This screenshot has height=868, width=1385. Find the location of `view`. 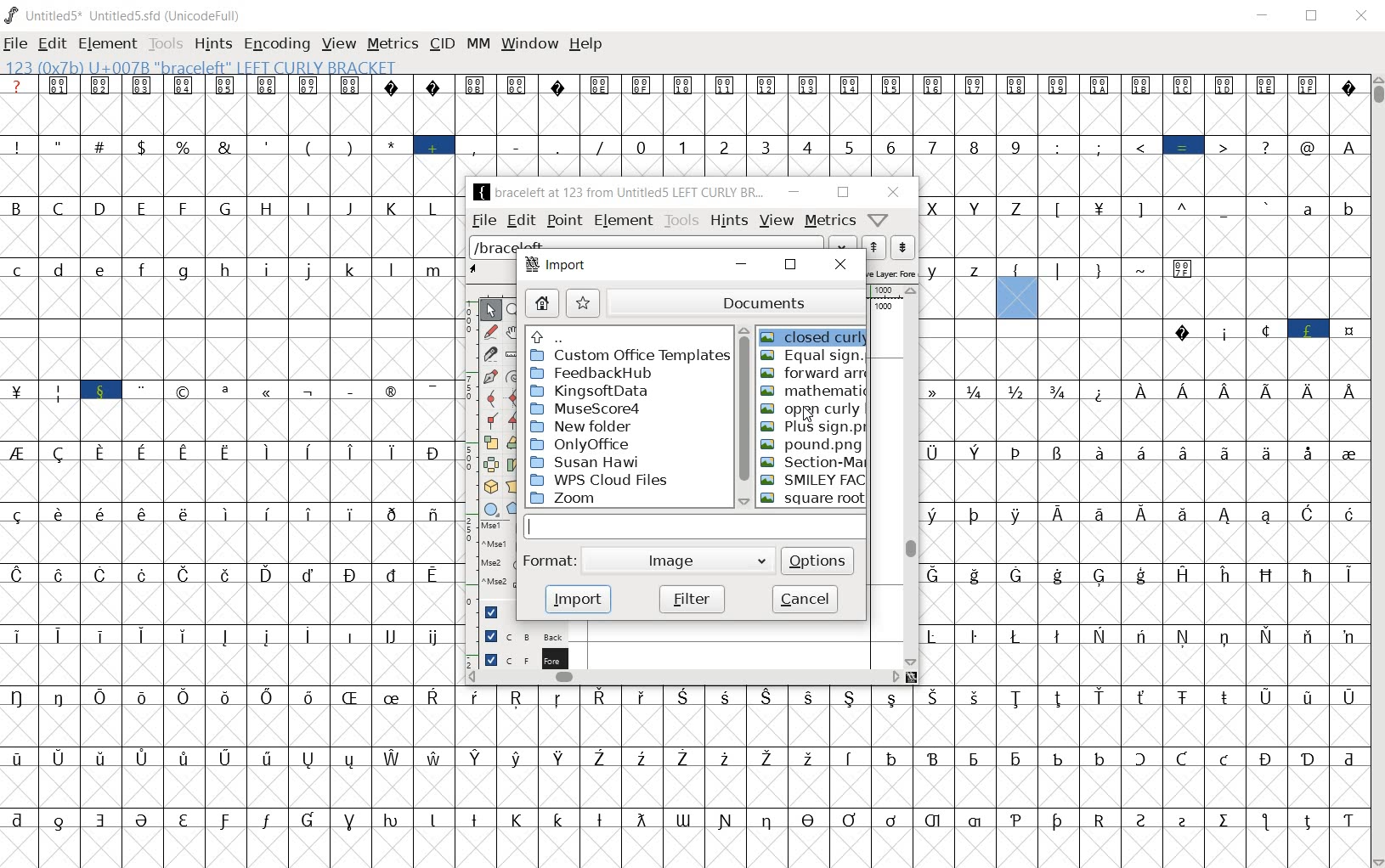

view is located at coordinates (776, 222).